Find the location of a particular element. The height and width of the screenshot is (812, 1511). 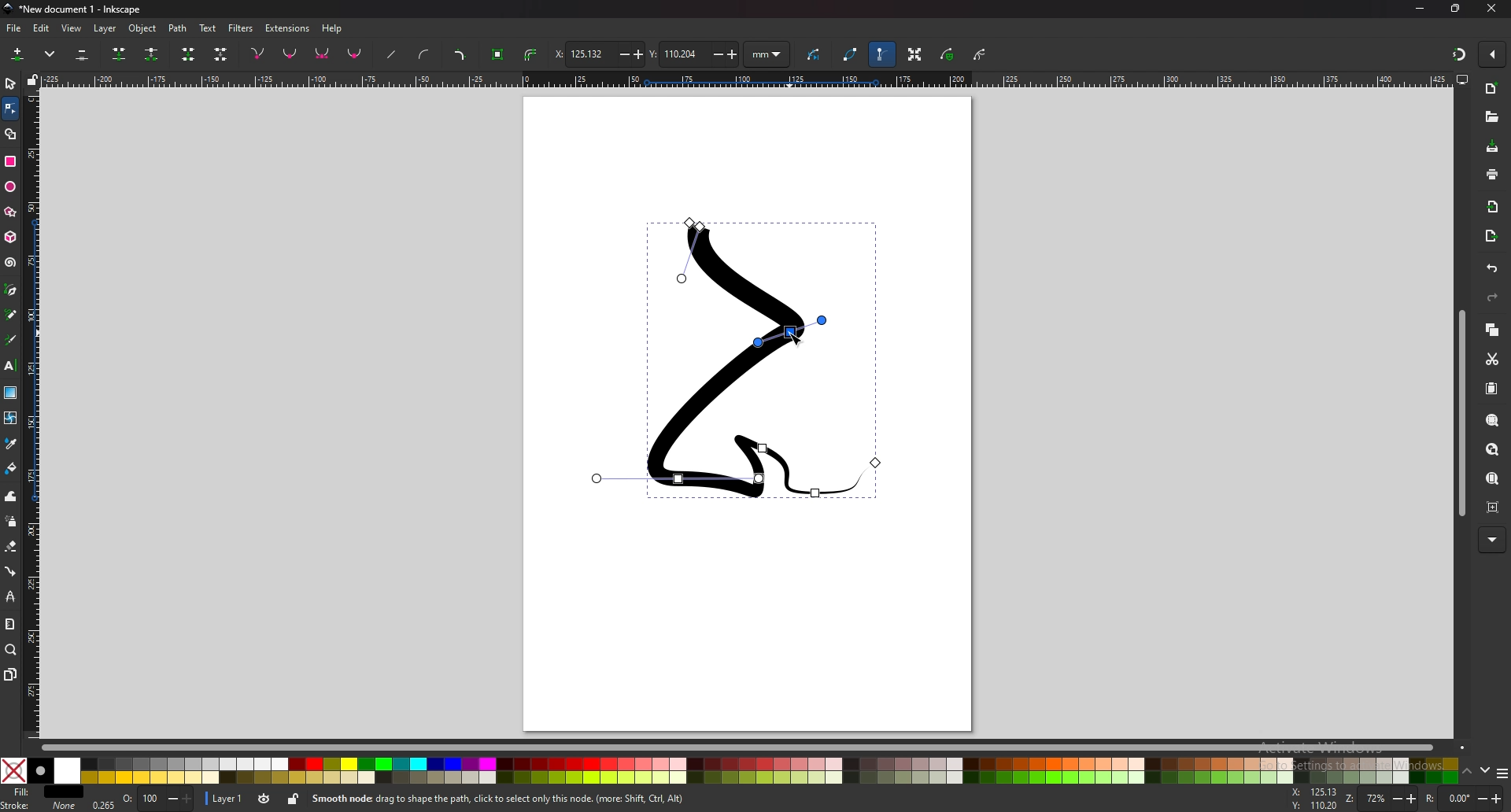

rectangle is located at coordinates (9, 161).